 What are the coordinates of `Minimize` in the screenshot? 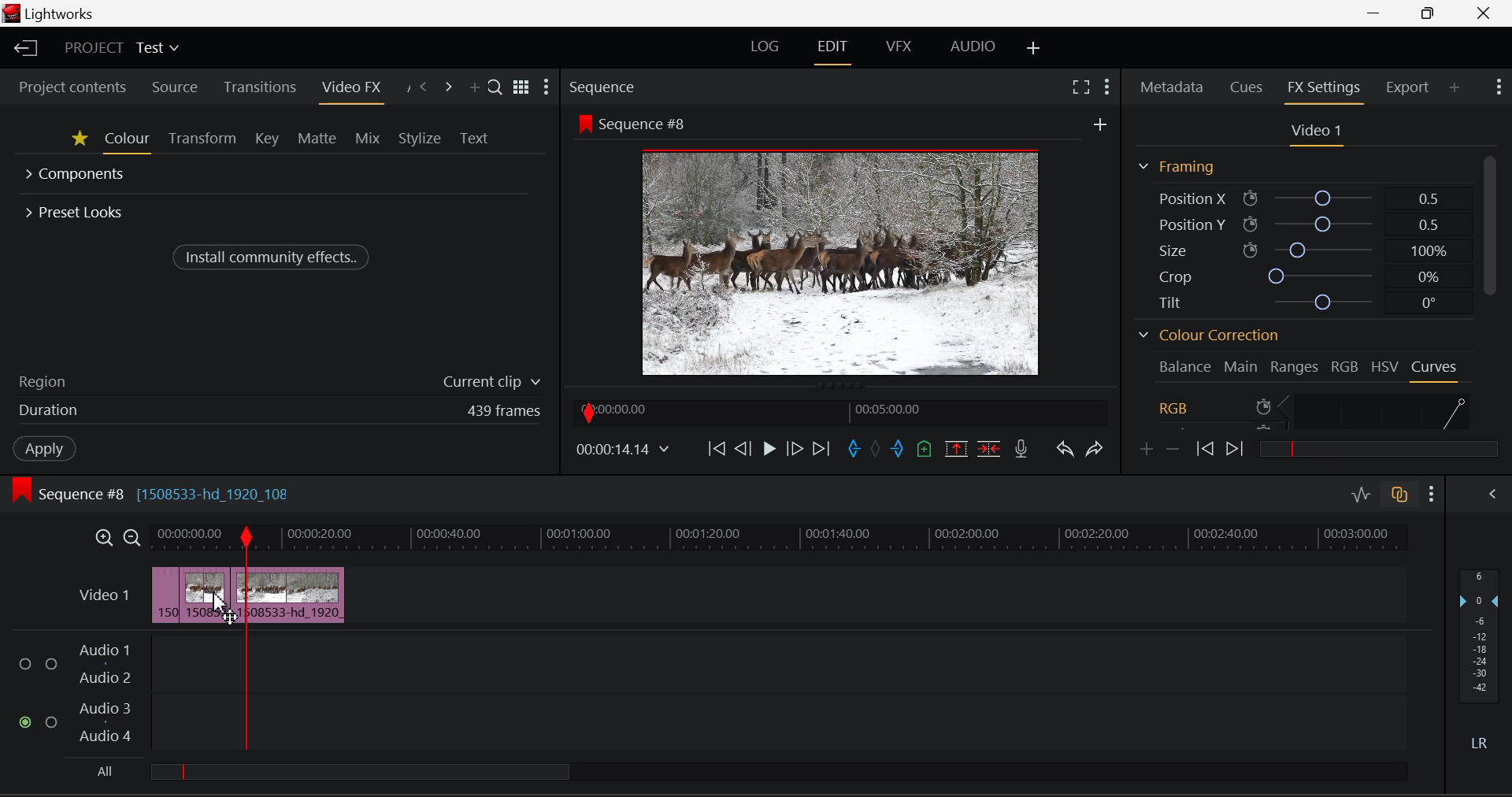 It's located at (1429, 13).